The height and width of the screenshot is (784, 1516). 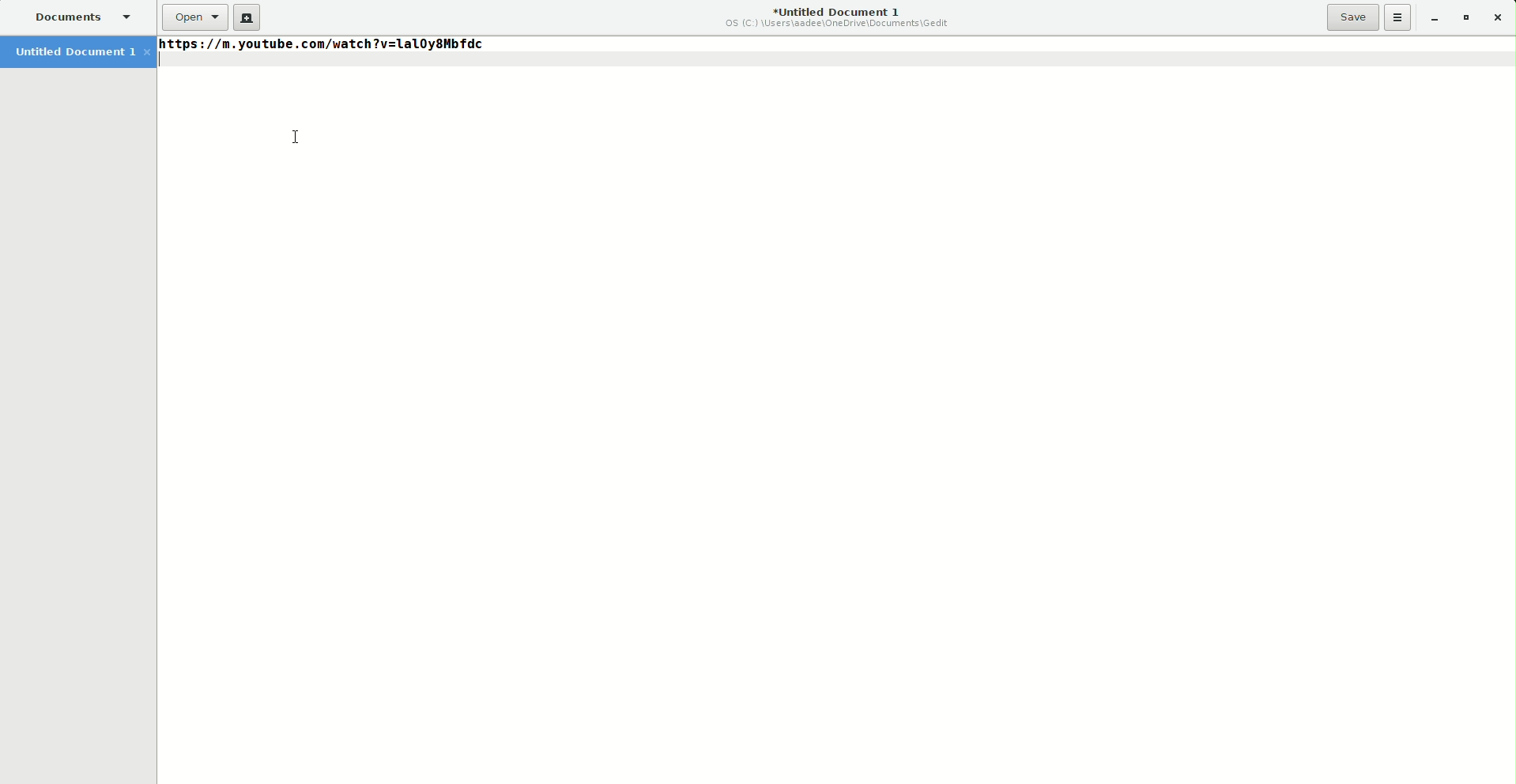 I want to click on Documents, so click(x=78, y=16).